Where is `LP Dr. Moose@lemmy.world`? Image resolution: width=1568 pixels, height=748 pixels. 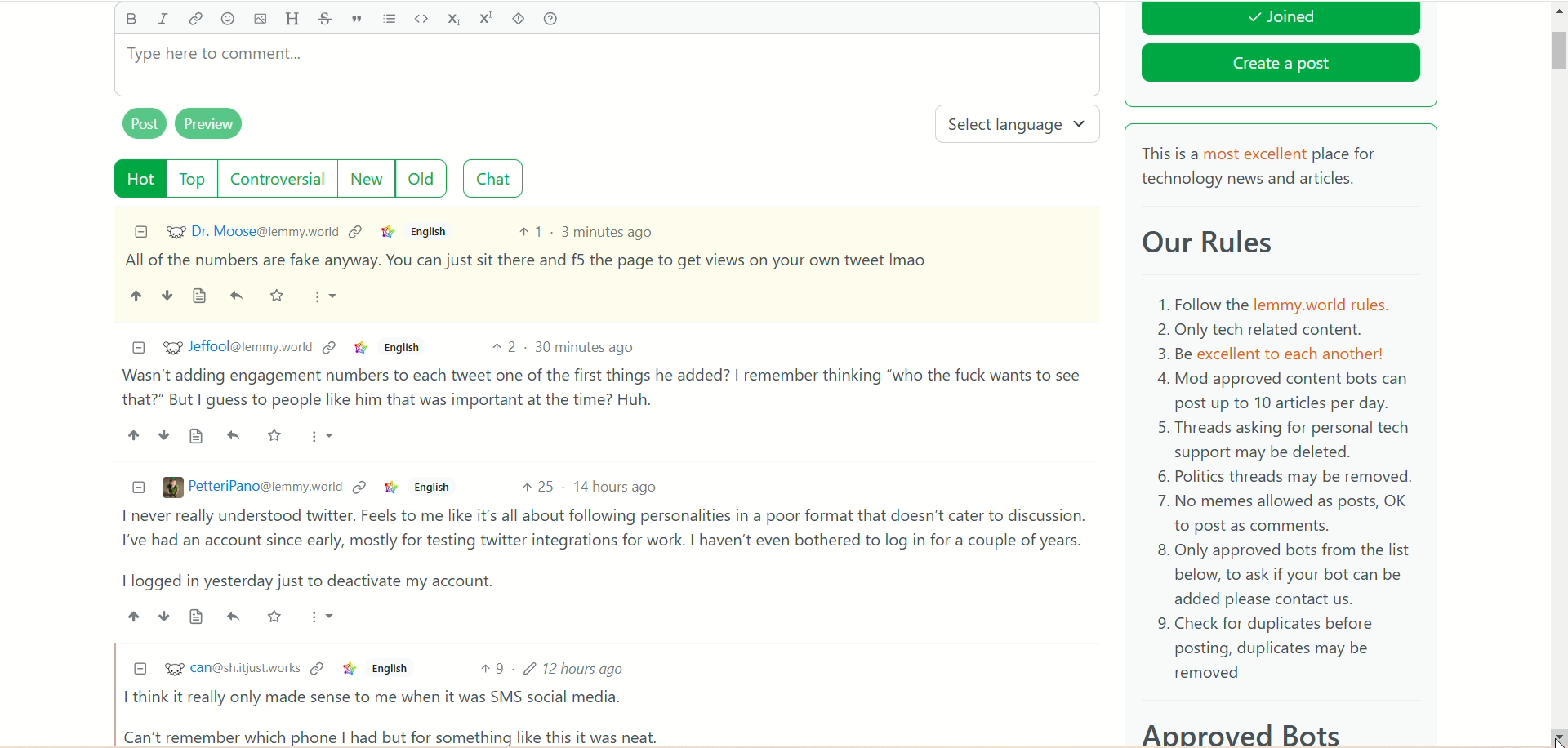
LP Dr. Moose@lemmy.world is located at coordinates (252, 231).